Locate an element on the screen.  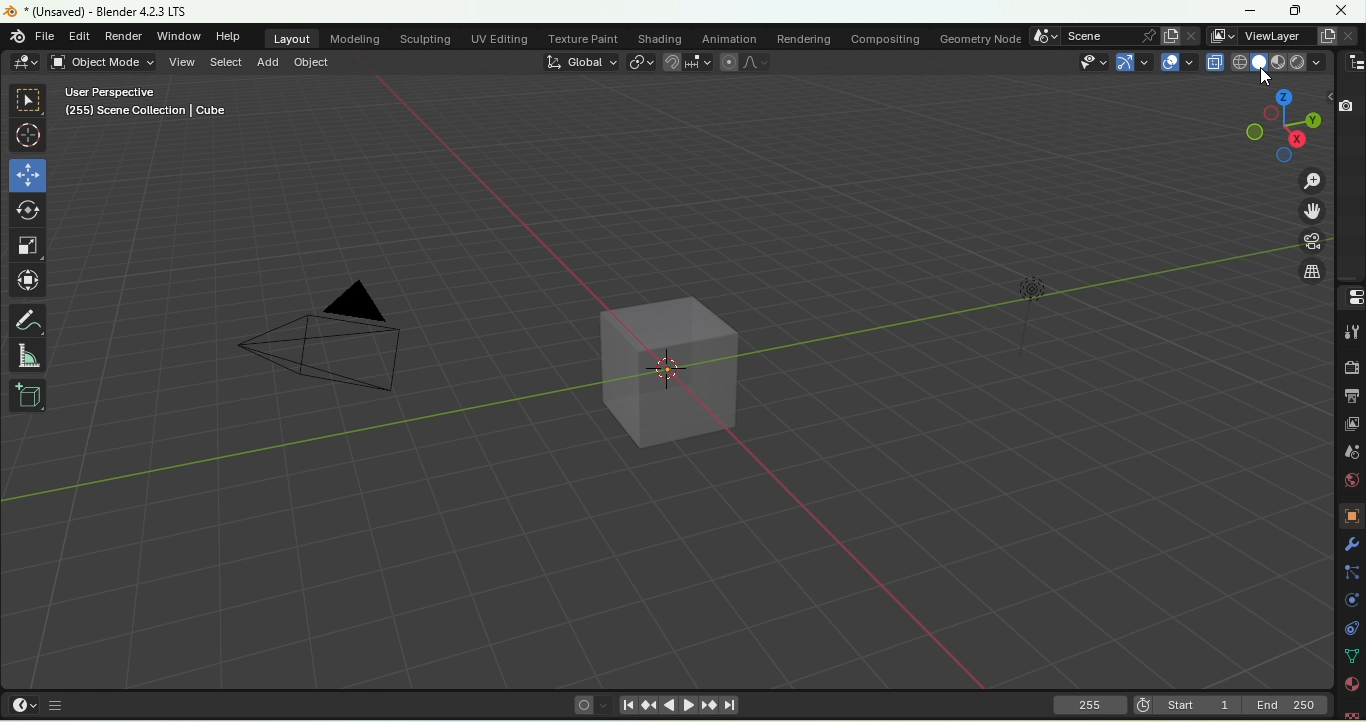
Animation is located at coordinates (730, 38).